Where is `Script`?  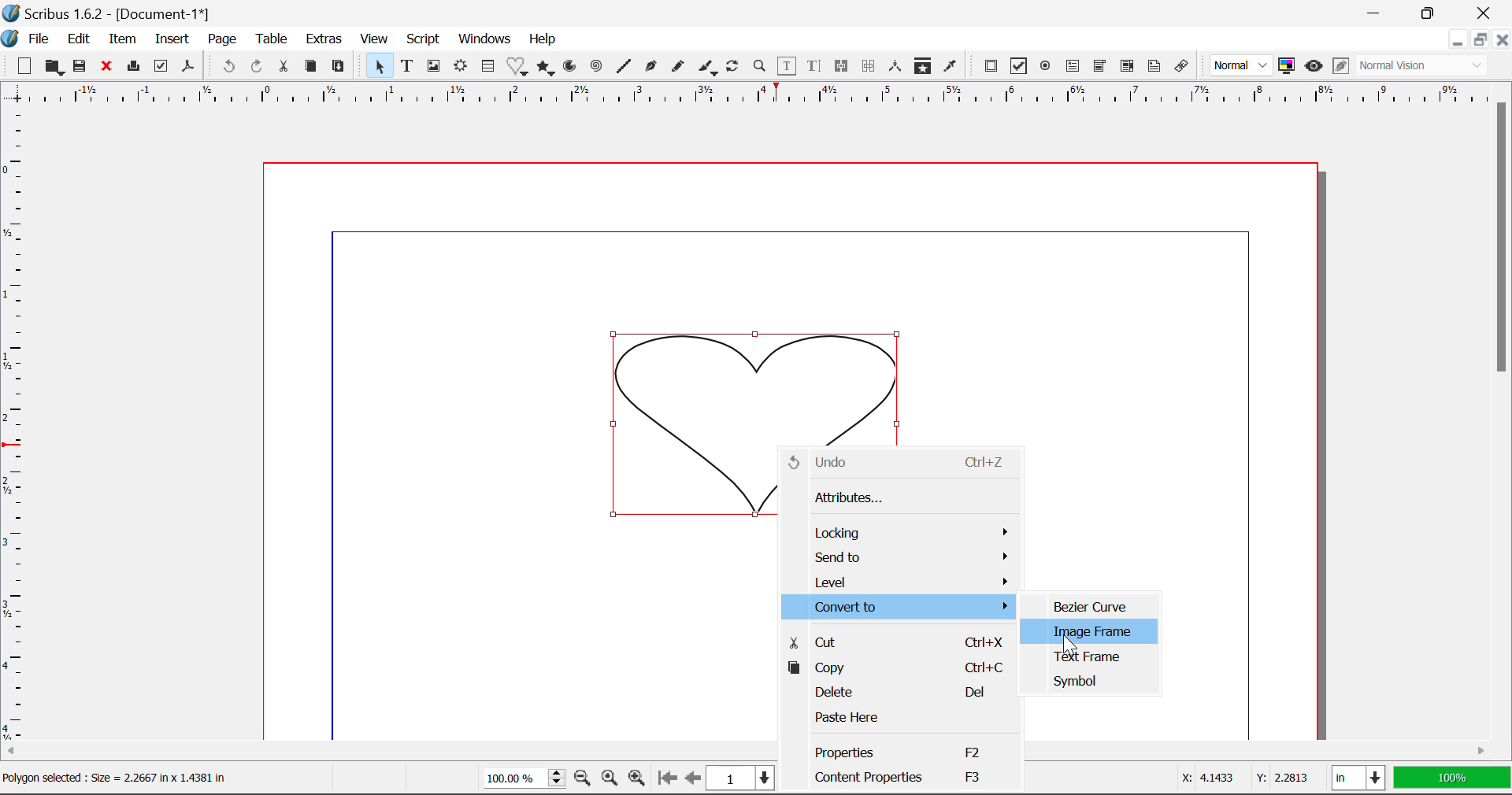
Script is located at coordinates (422, 41).